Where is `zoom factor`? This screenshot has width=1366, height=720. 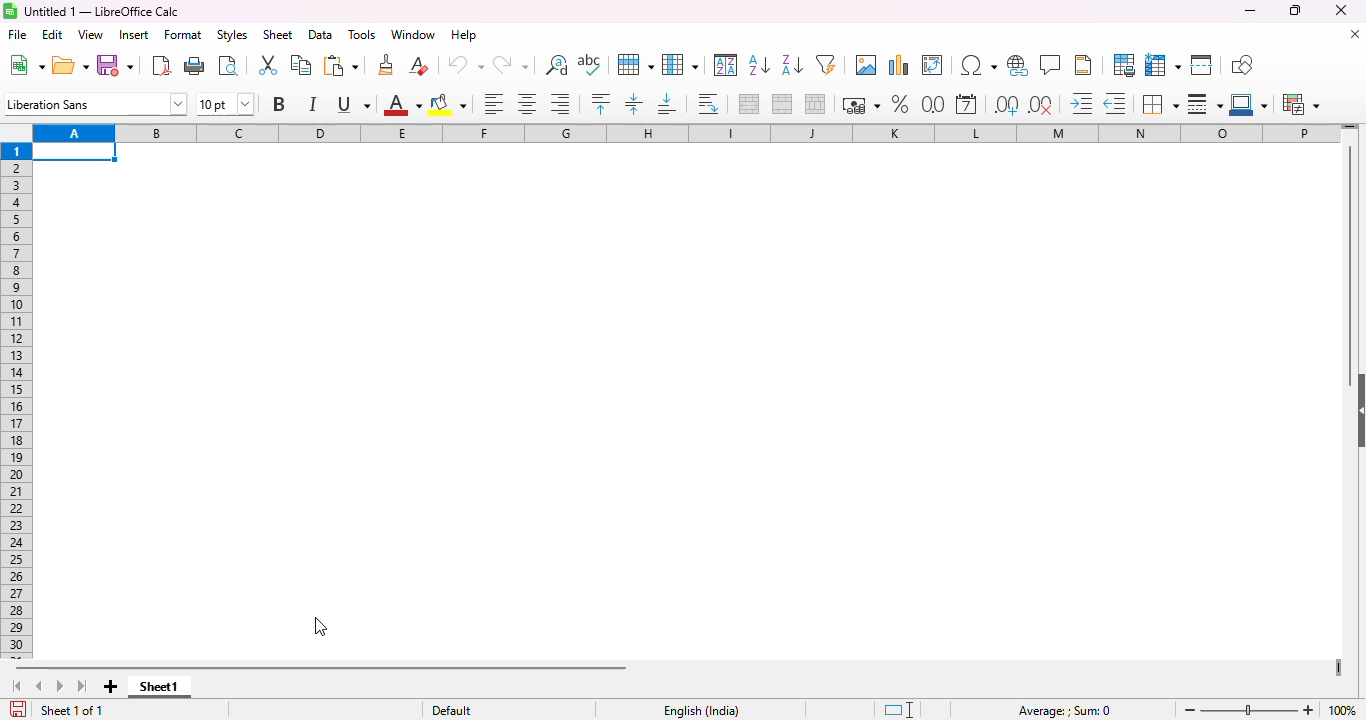 zoom factor is located at coordinates (1342, 710).